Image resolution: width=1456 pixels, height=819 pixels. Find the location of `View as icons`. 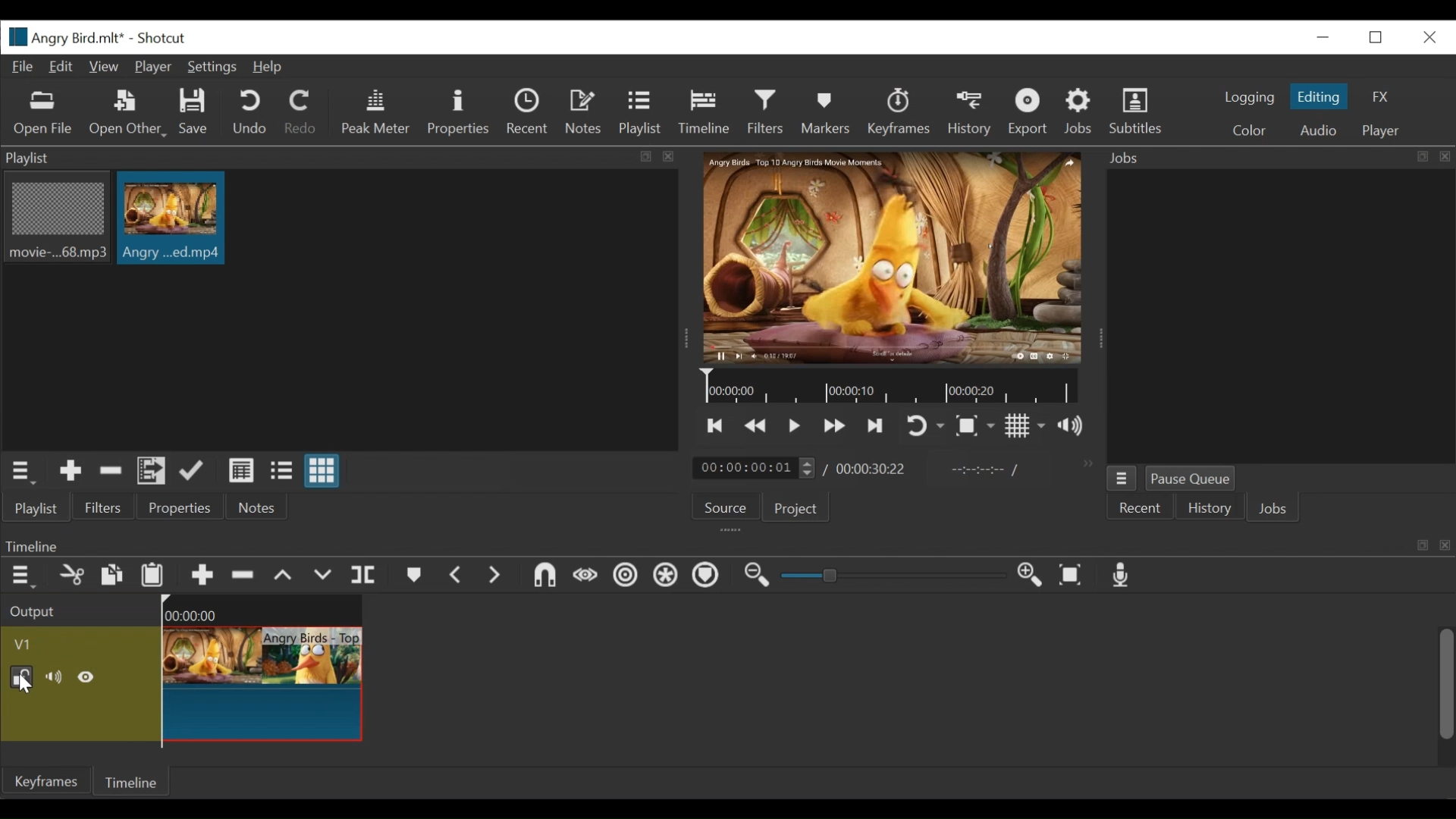

View as icons is located at coordinates (322, 471).